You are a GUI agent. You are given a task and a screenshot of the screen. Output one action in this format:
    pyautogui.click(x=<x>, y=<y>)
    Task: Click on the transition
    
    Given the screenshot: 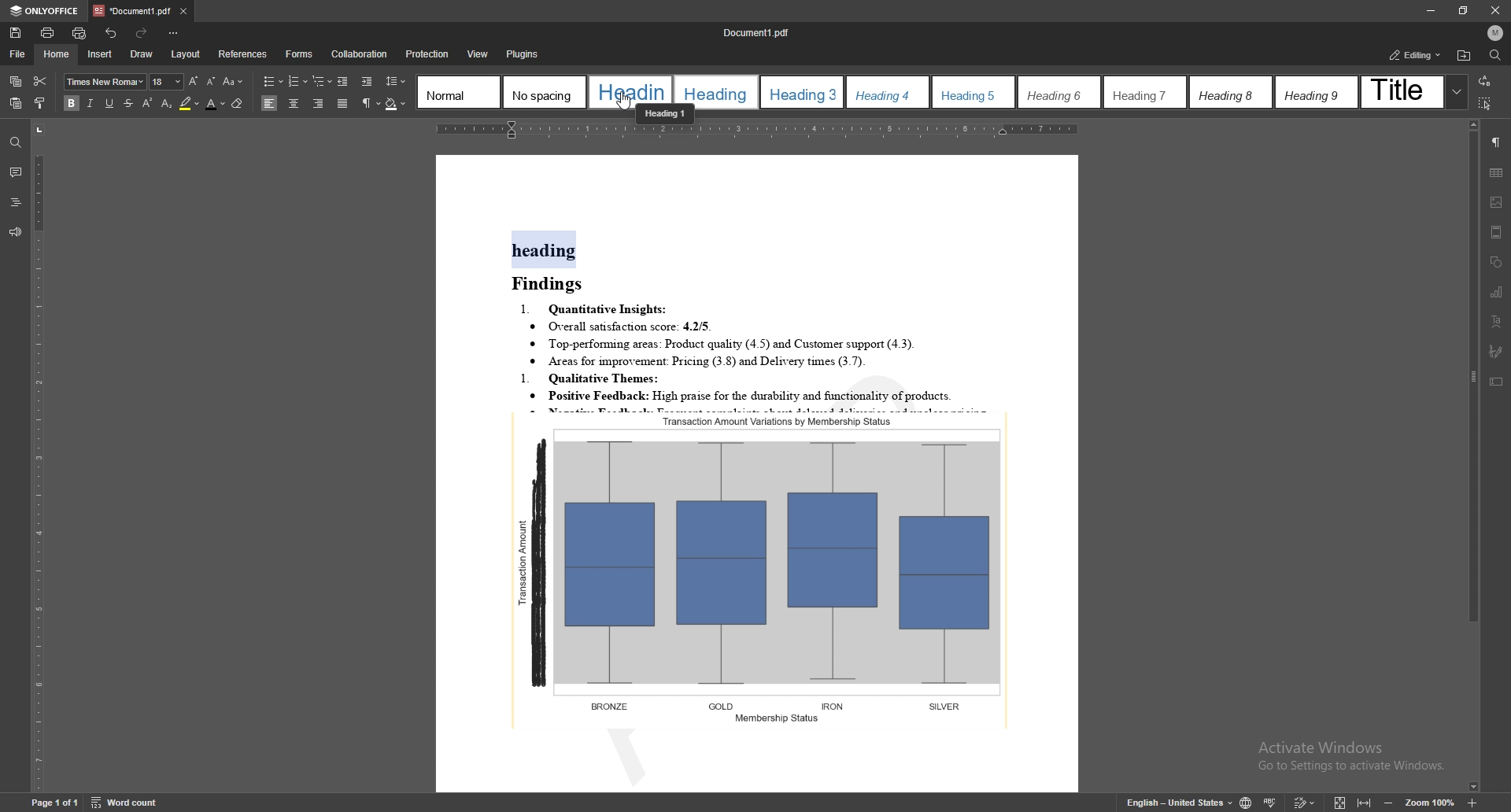 What is the action you would take?
    pyautogui.click(x=1483, y=82)
    